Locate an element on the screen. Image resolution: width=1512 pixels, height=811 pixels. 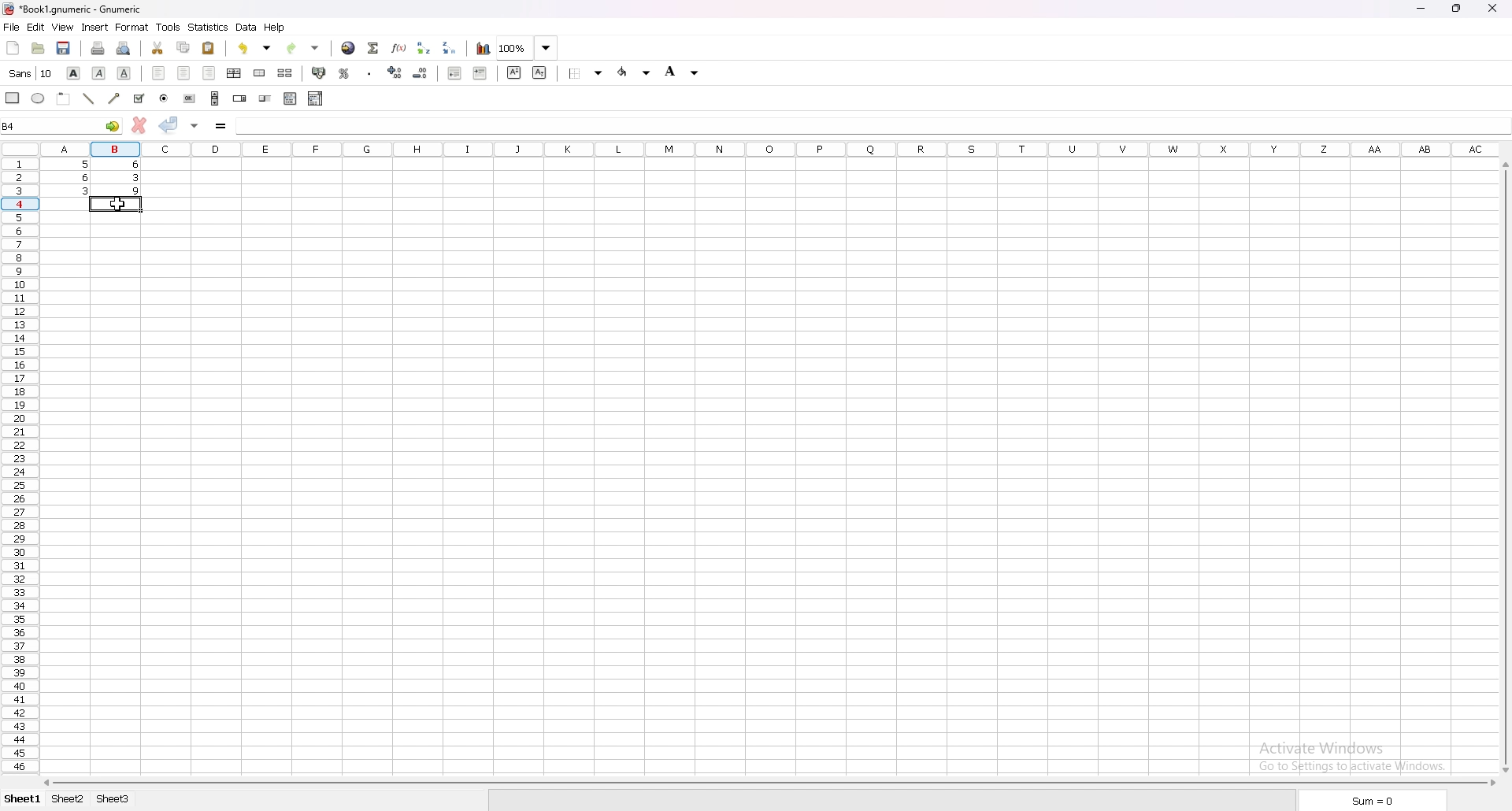
scroll button is located at coordinates (214, 98).